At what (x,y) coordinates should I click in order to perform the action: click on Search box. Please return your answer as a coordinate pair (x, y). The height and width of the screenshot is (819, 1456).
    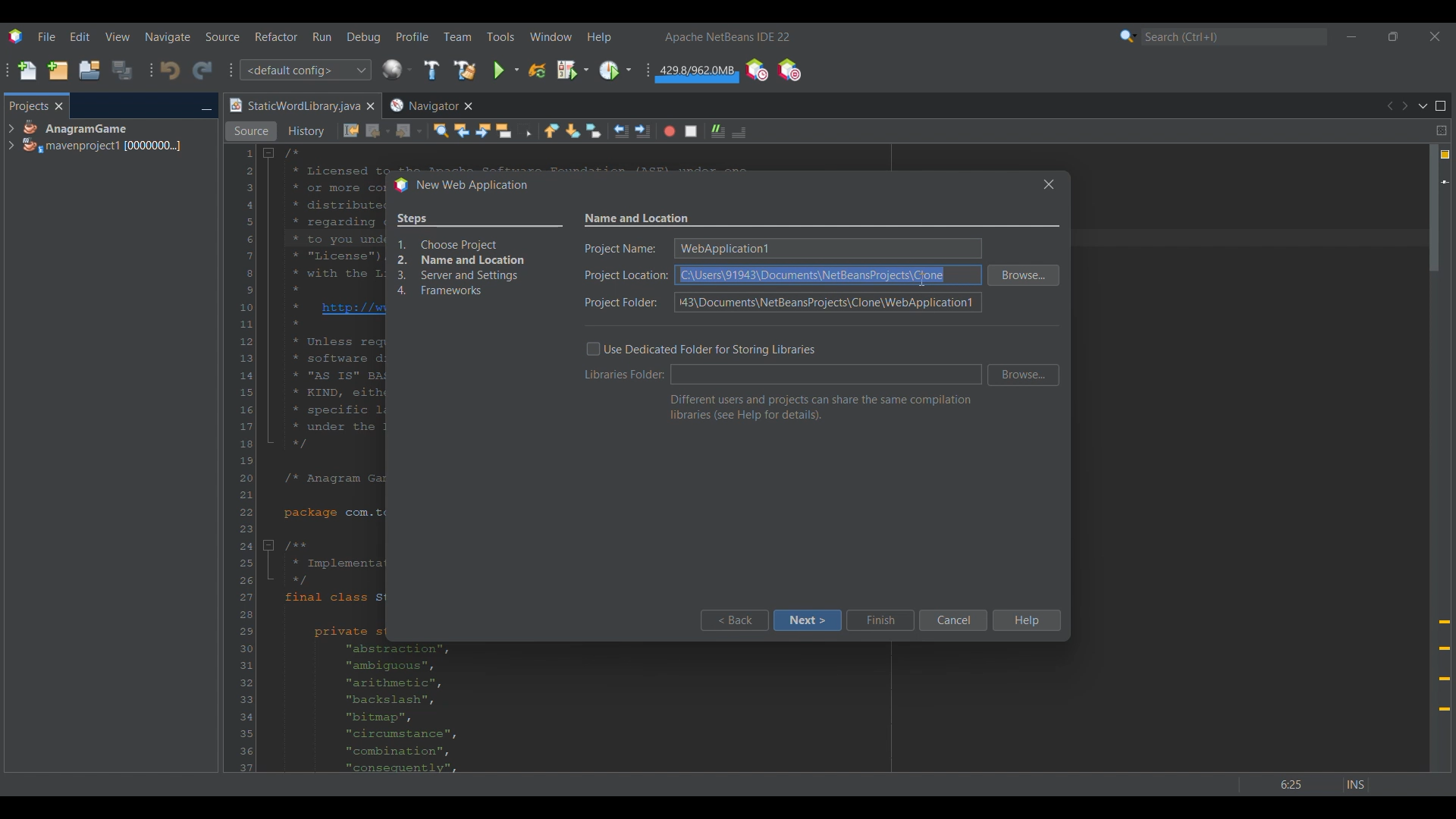
    Looking at the image, I should click on (1235, 36).